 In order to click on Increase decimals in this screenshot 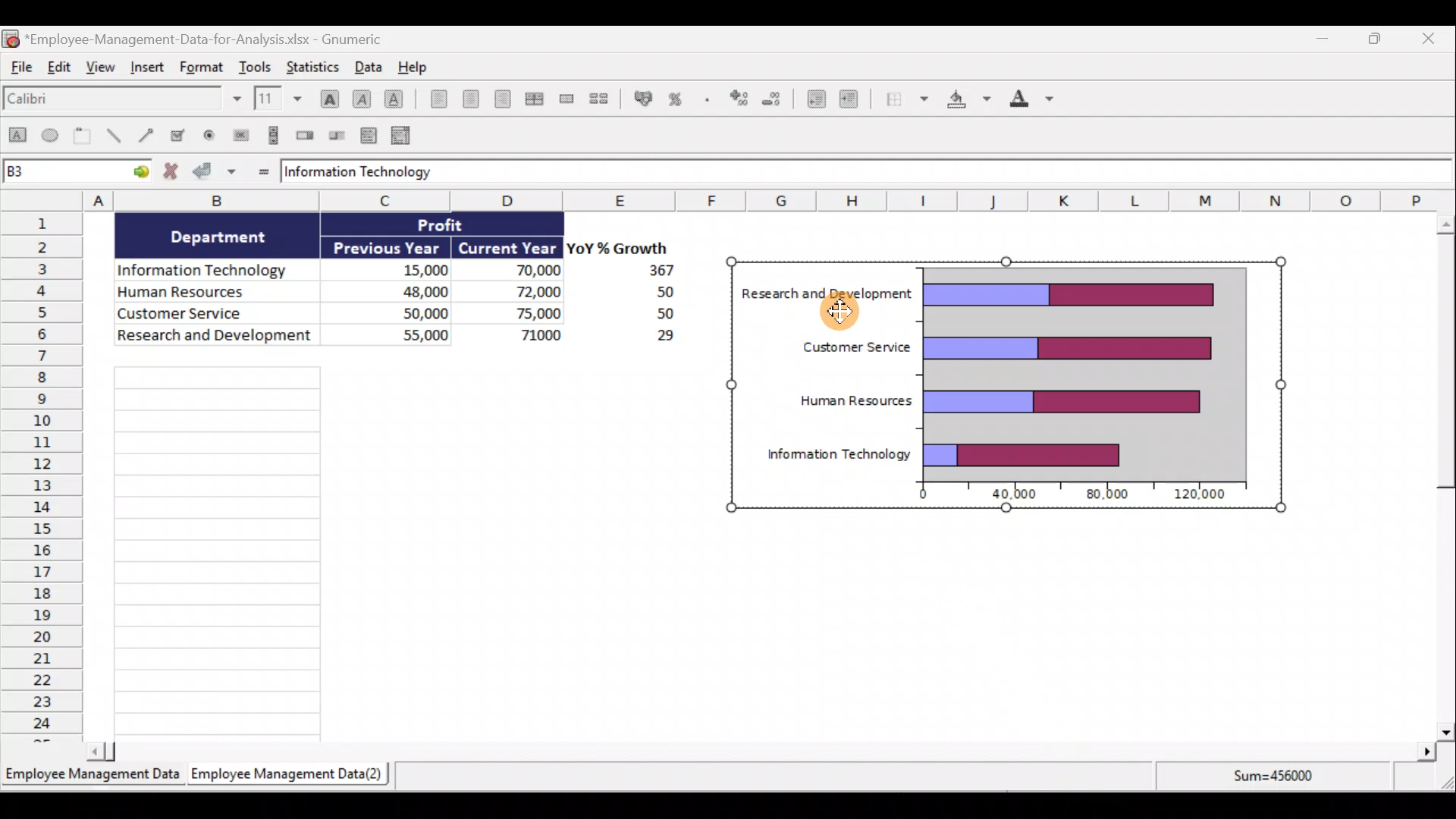, I will do `click(740, 101)`.